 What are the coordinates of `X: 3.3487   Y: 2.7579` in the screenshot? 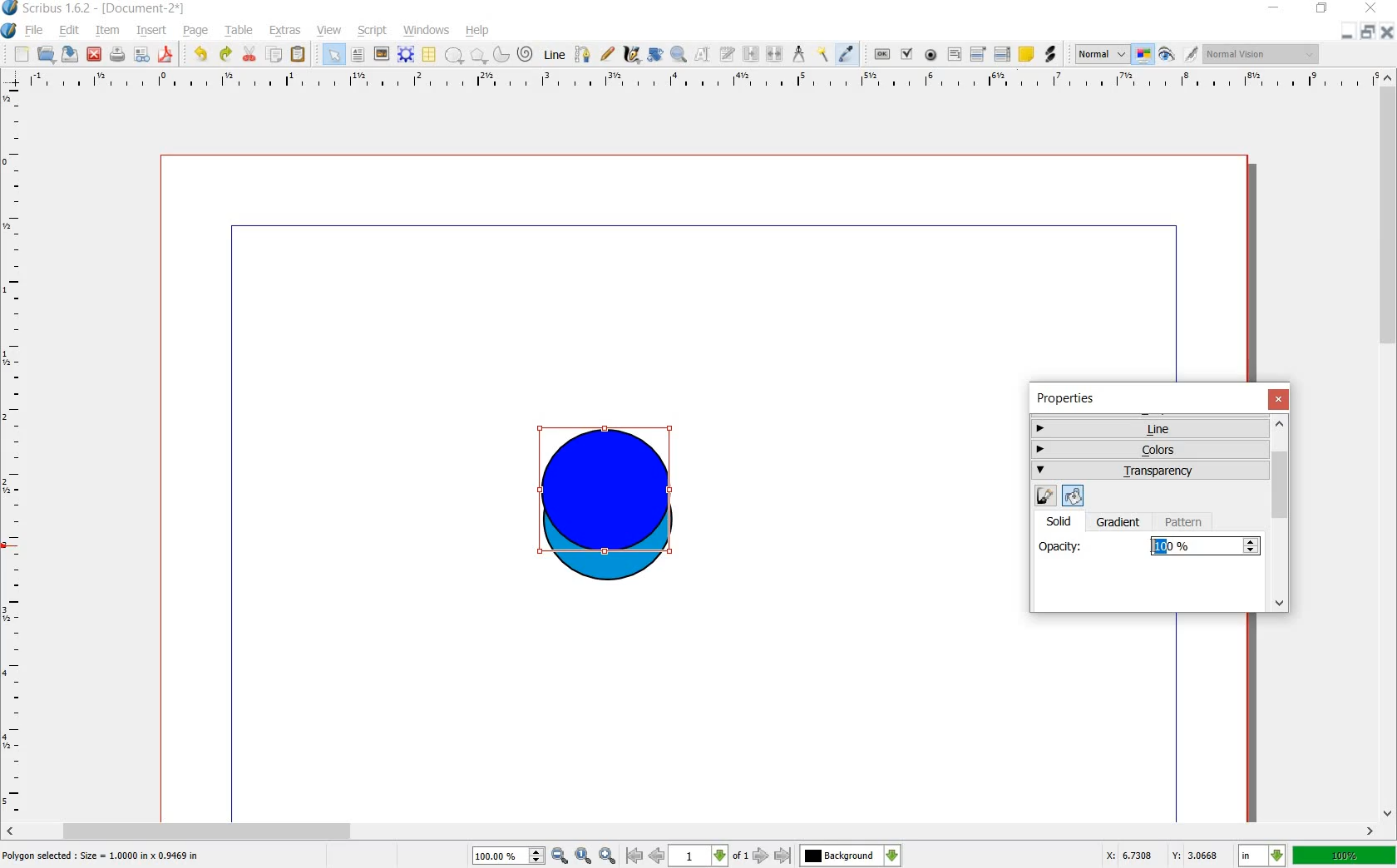 It's located at (1163, 855).